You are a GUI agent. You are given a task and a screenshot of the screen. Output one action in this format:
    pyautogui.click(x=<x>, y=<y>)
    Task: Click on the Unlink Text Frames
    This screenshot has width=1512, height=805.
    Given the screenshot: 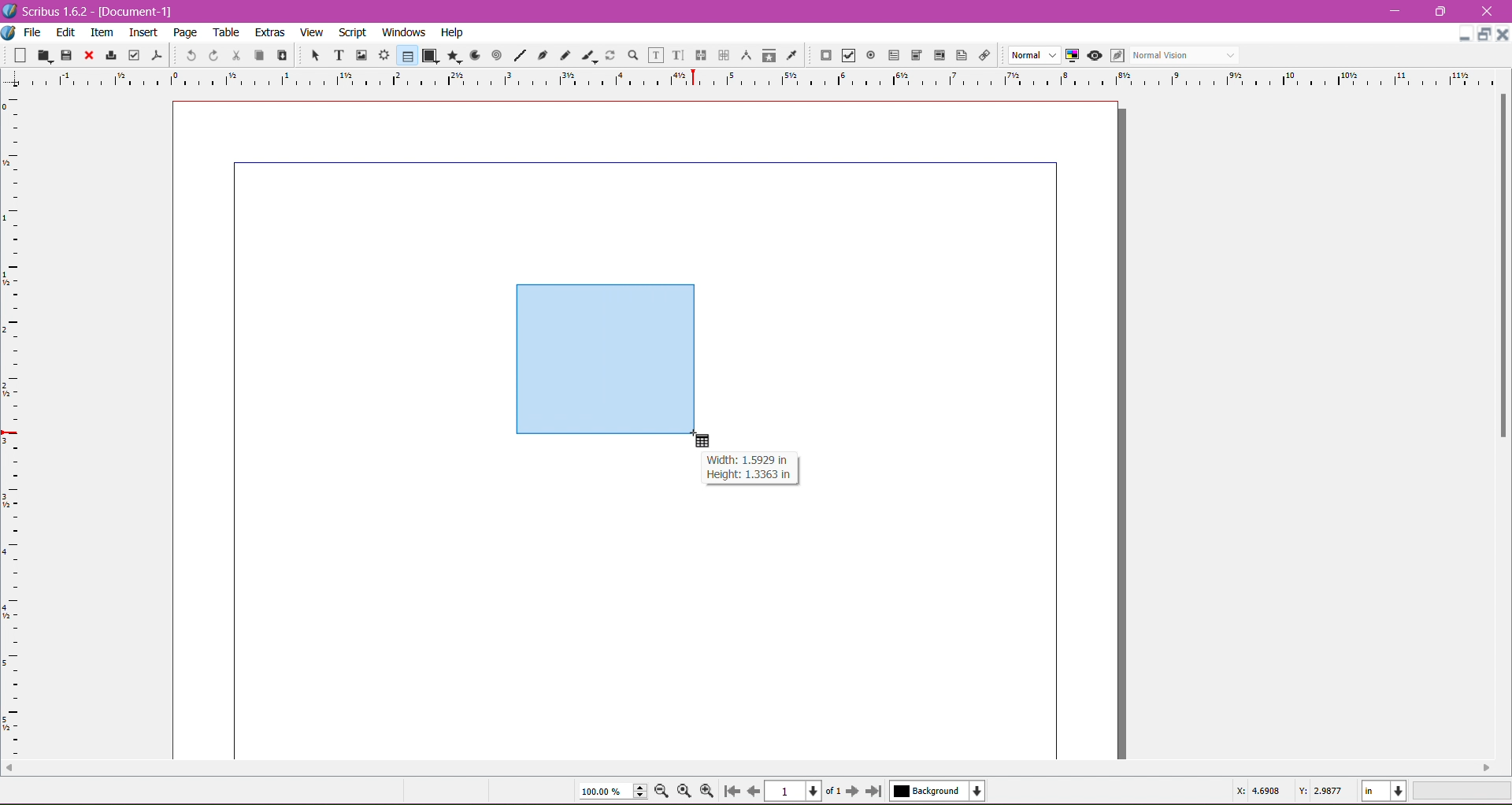 What is the action you would take?
    pyautogui.click(x=722, y=57)
    